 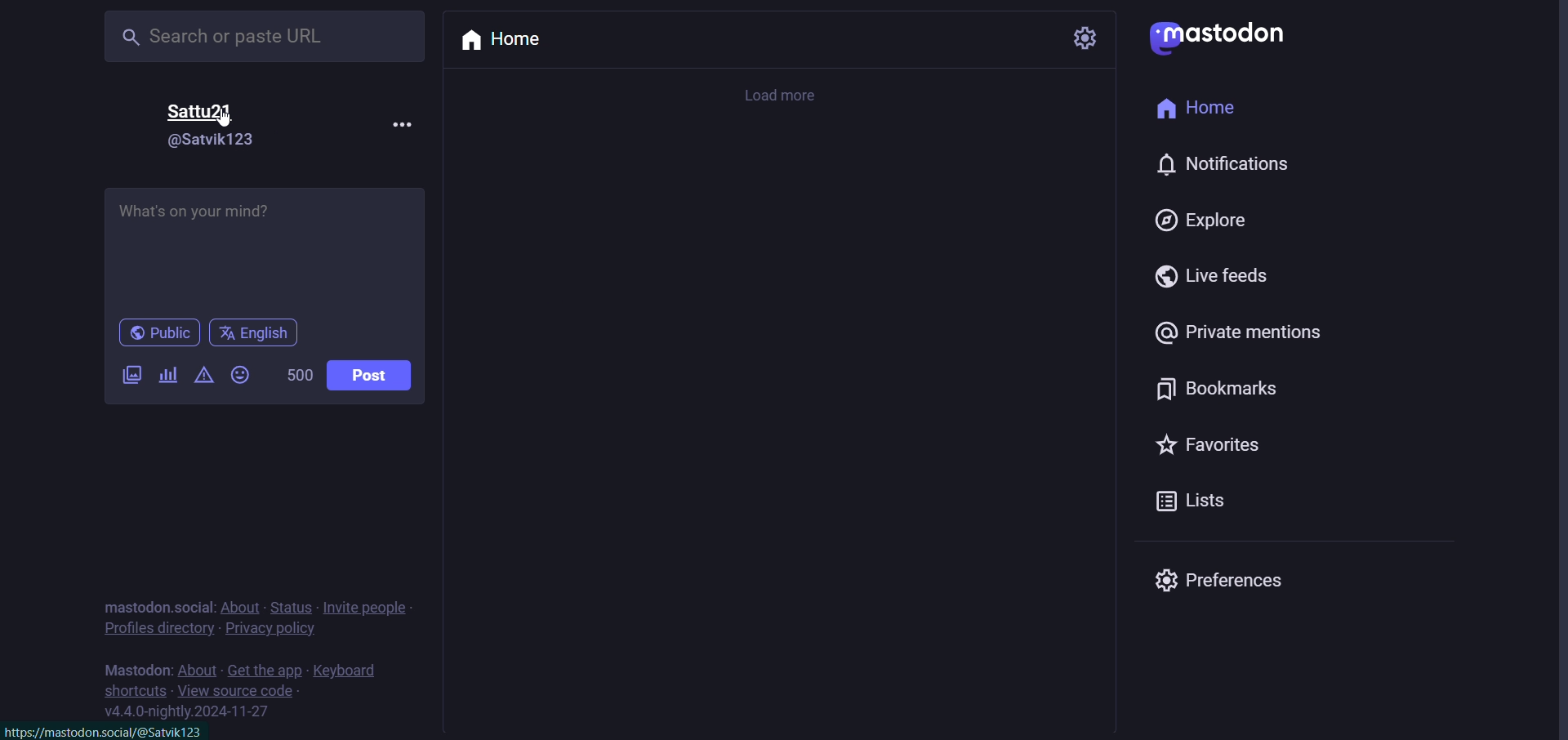 What do you see at coordinates (205, 378) in the screenshot?
I see `content warning` at bounding box center [205, 378].